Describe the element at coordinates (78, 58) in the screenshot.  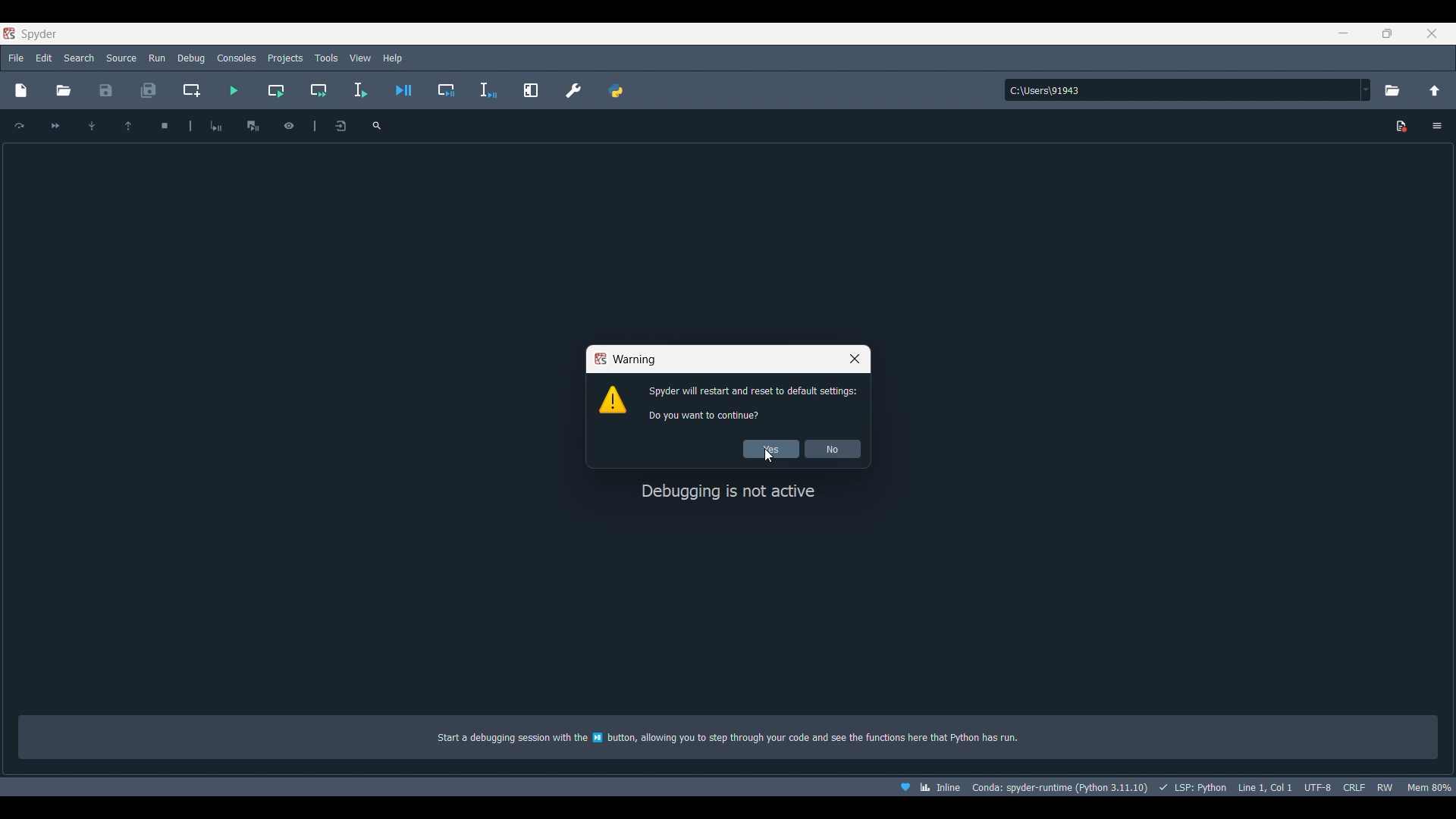
I see `Search menu` at that location.